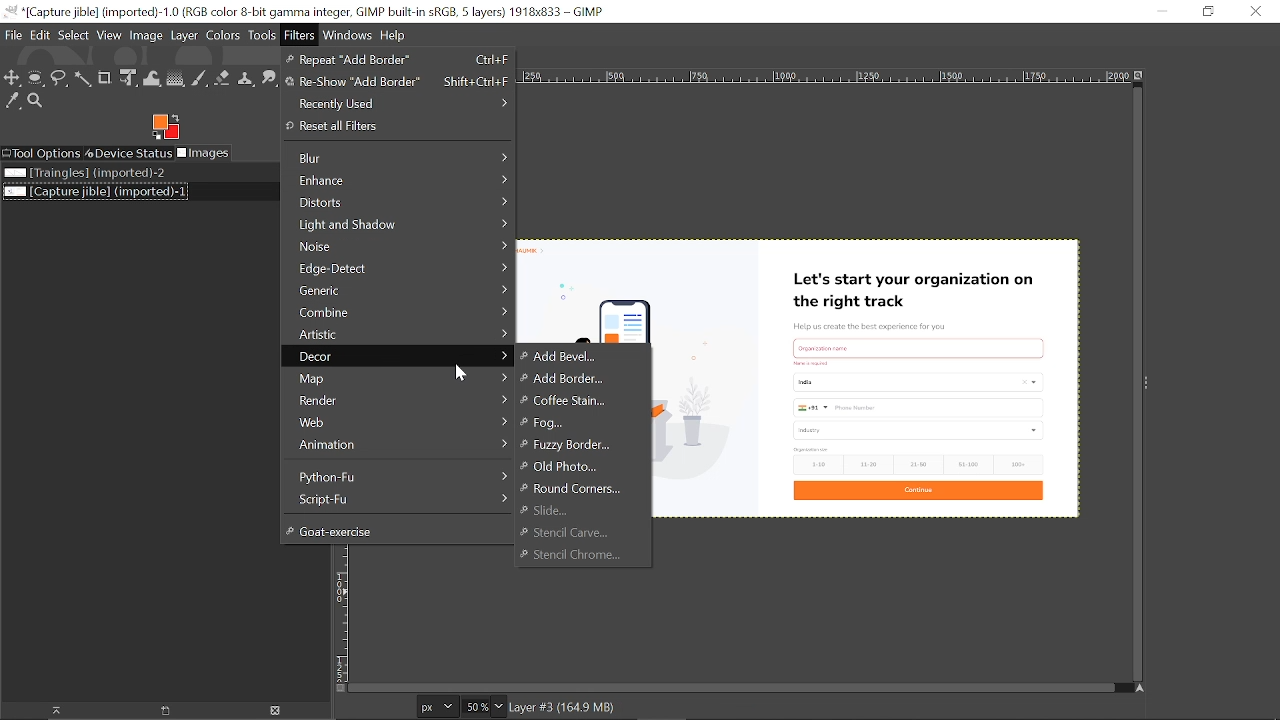 The image size is (1280, 720). What do you see at coordinates (915, 430) in the screenshot?
I see `industry` at bounding box center [915, 430].